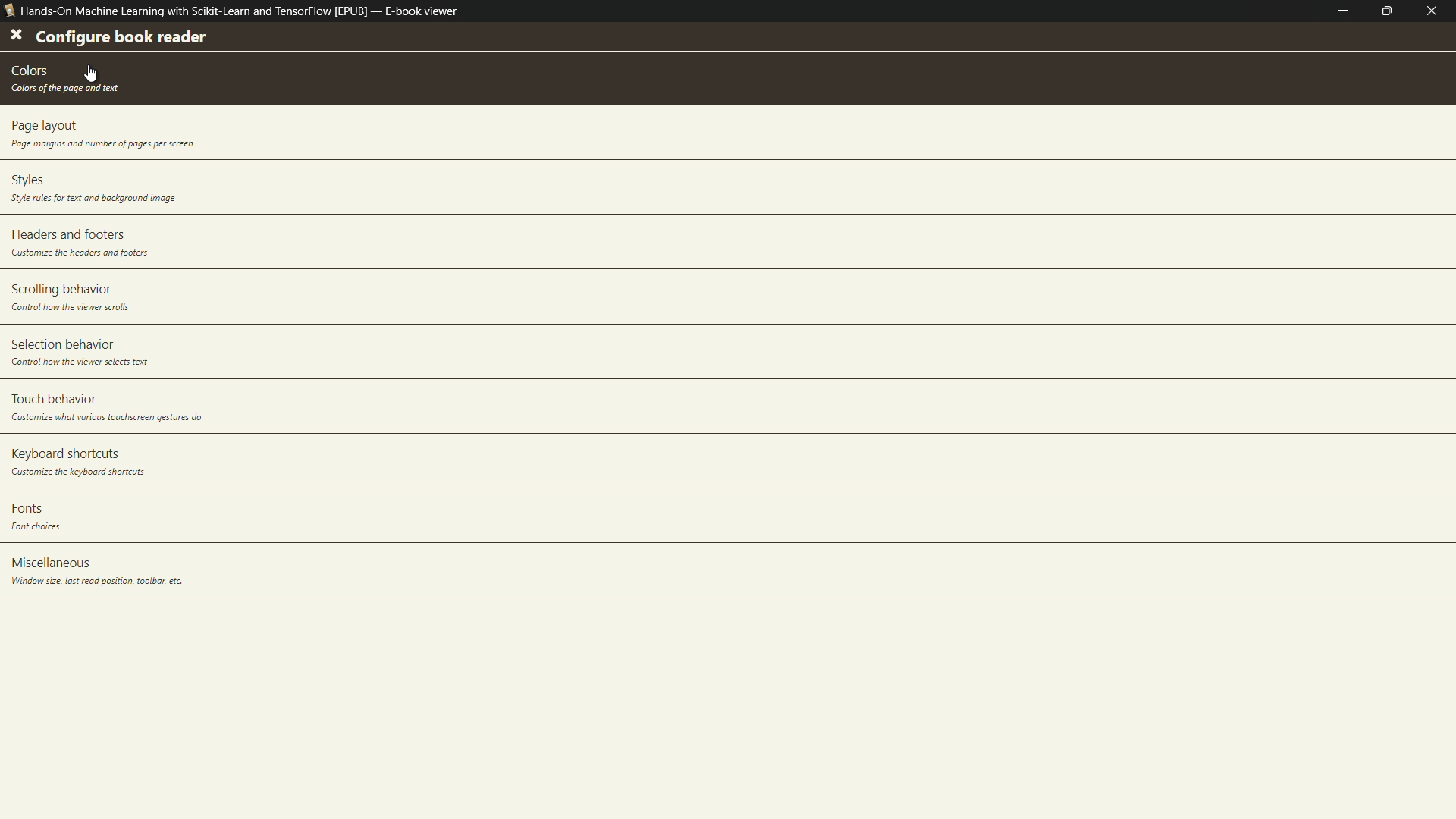  I want to click on Hands-On Machine Learning with Scikit-Learn and TensorFlow [EPUB] — E-book viewer, so click(232, 14).